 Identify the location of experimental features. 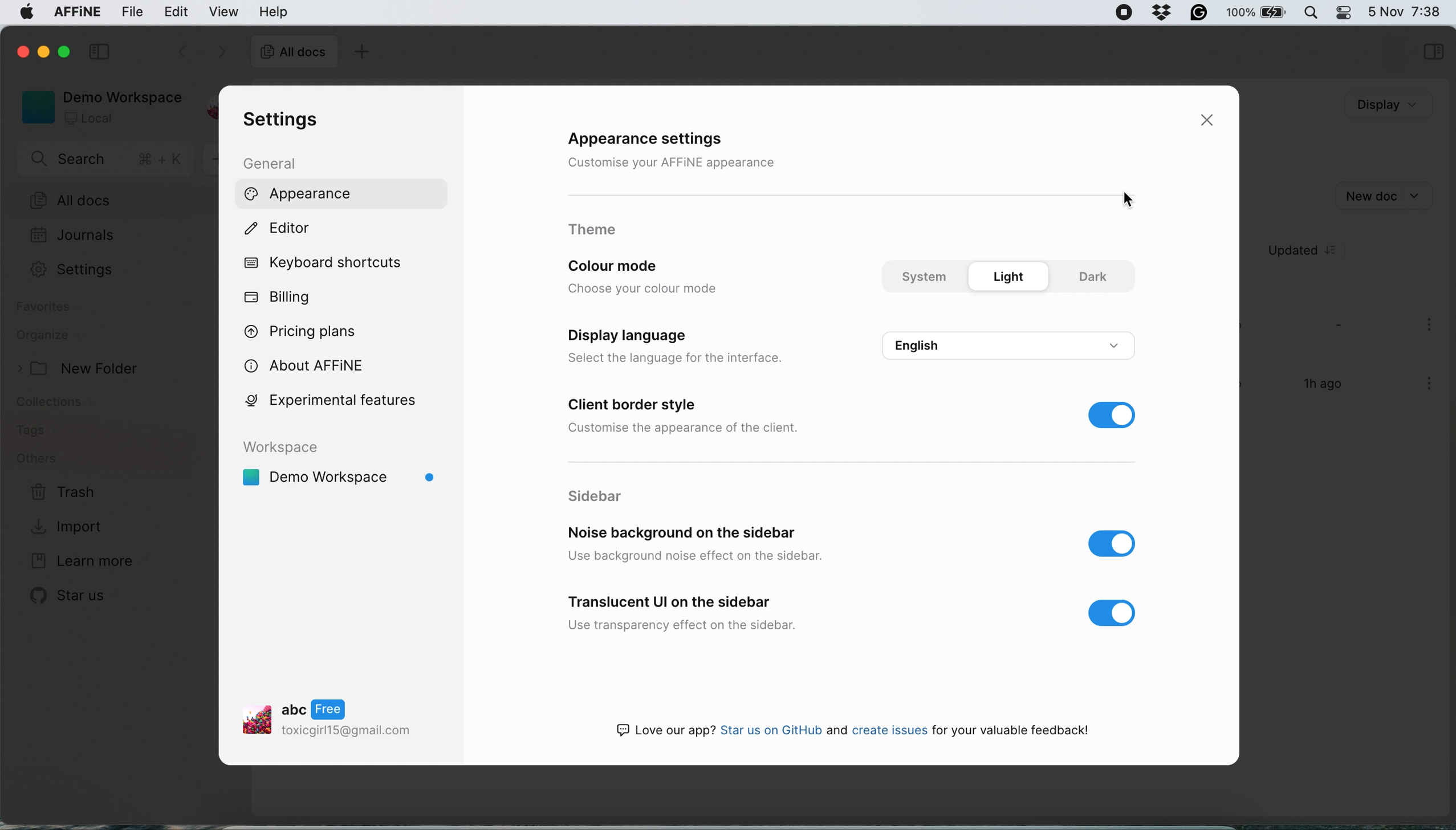
(334, 401).